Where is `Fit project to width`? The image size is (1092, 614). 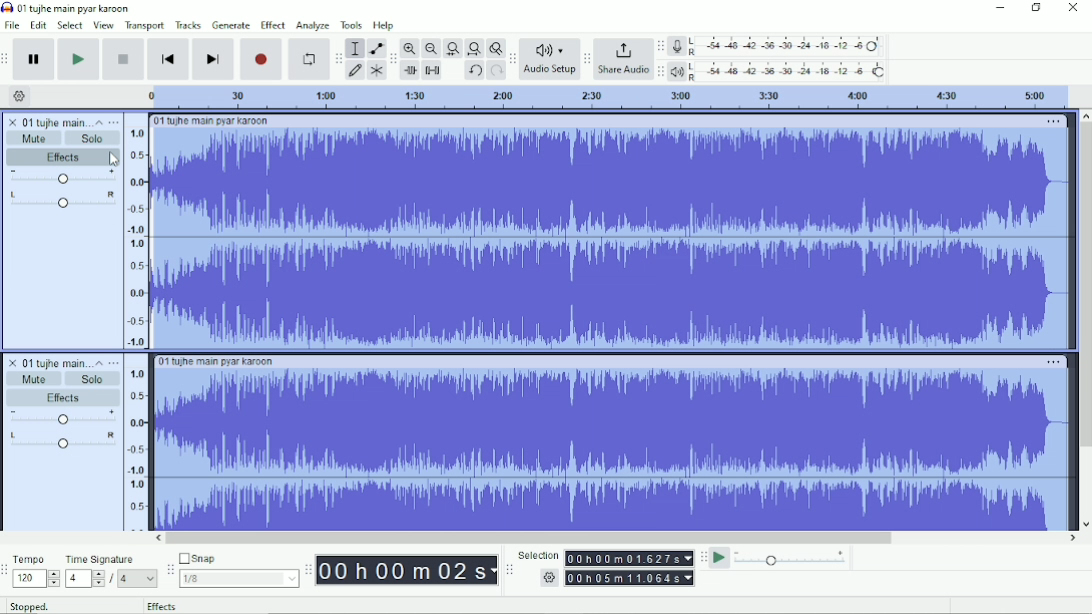 Fit project to width is located at coordinates (473, 49).